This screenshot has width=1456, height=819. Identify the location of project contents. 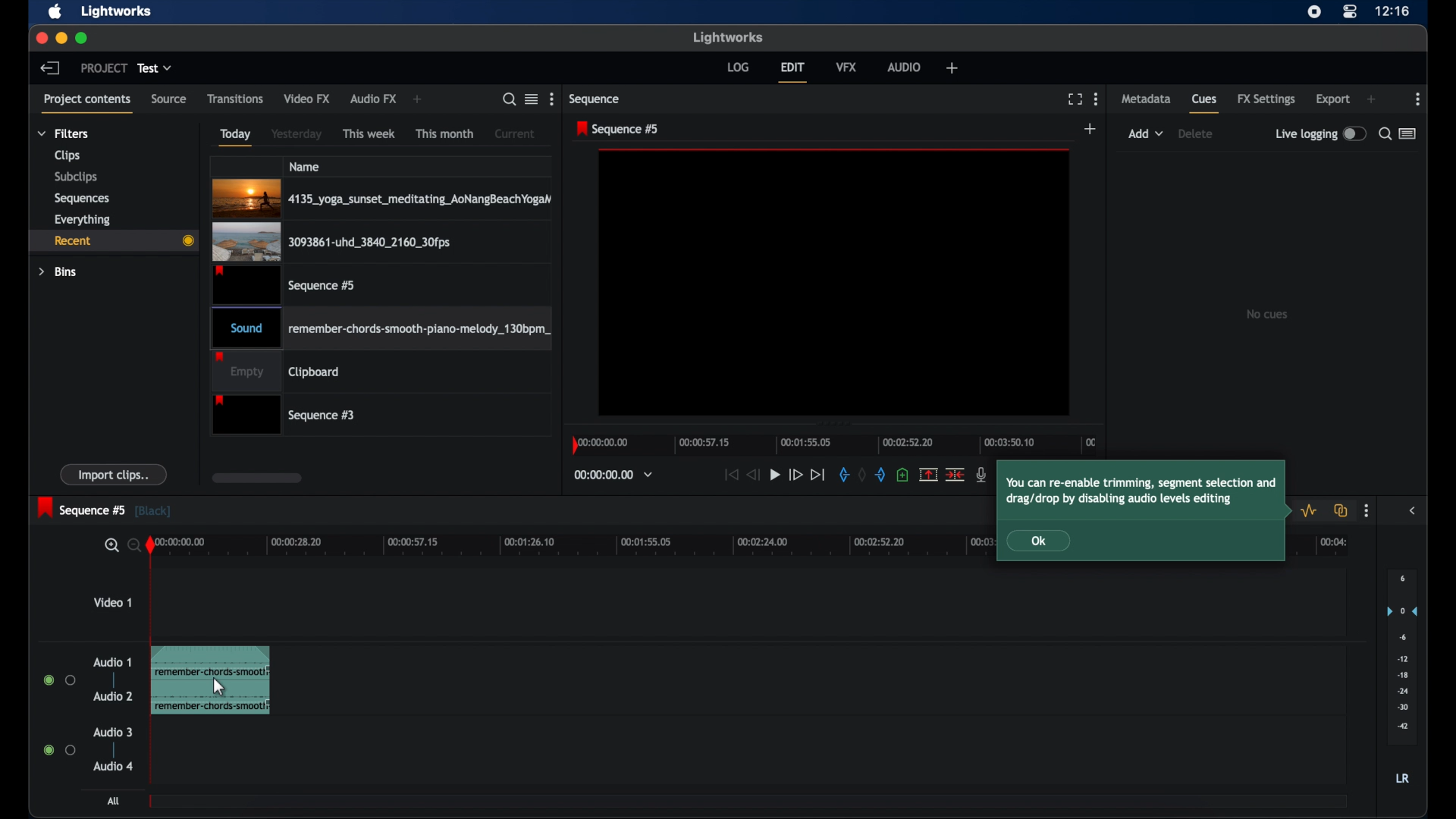
(89, 104).